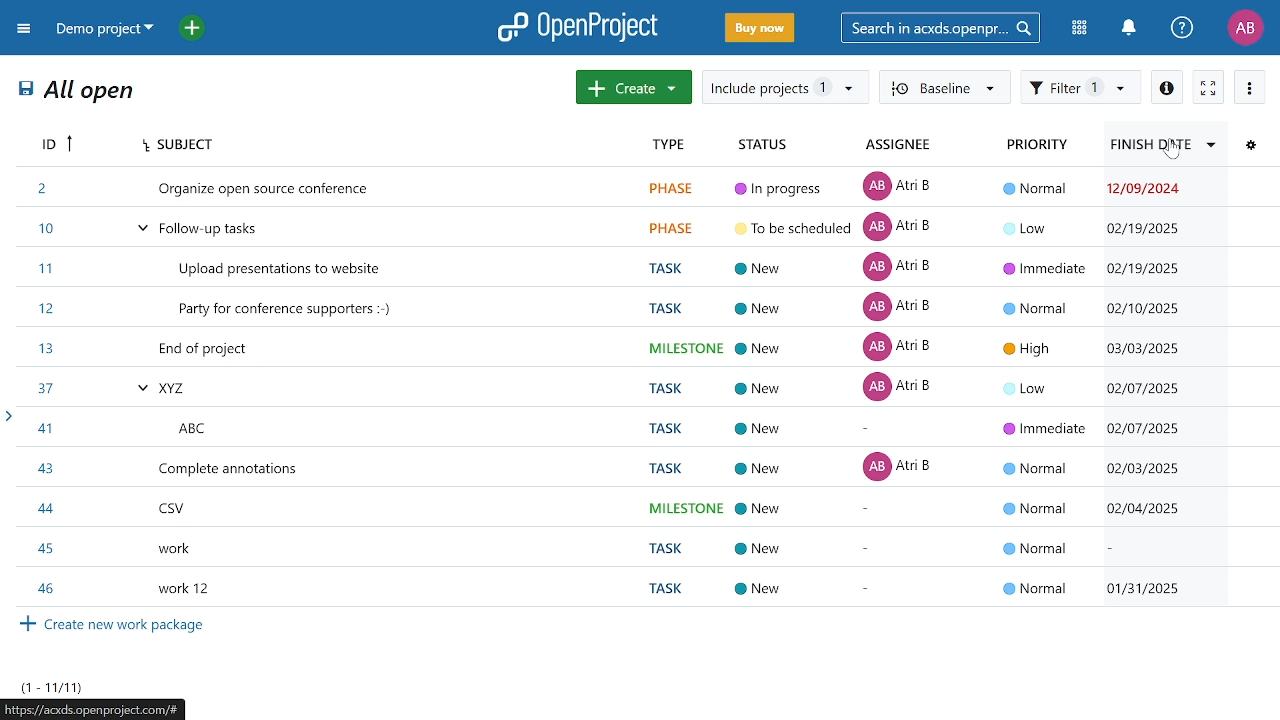 Image resolution: width=1280 pixels, height=720 pixels. I want to click on open quick add menu, so click(196, 28).